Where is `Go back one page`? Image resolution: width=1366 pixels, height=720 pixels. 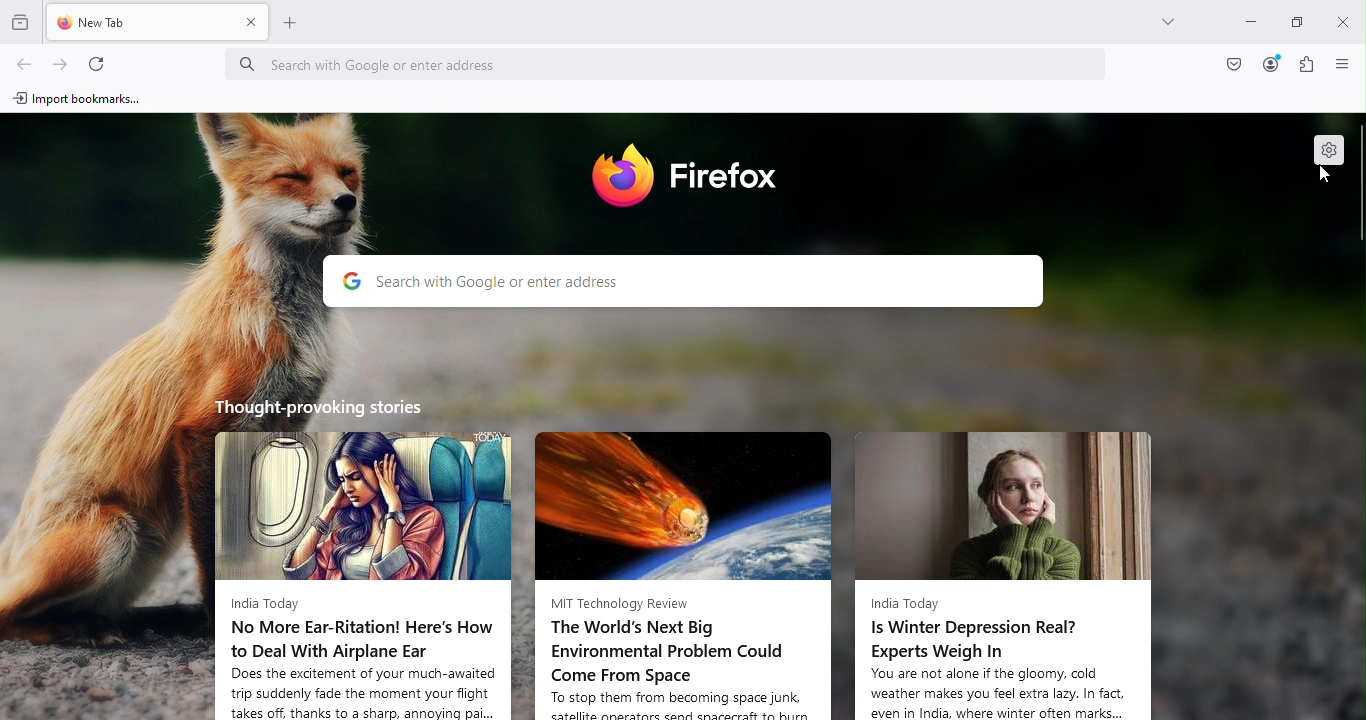
Go back one page is located at coordinates (26, 61).